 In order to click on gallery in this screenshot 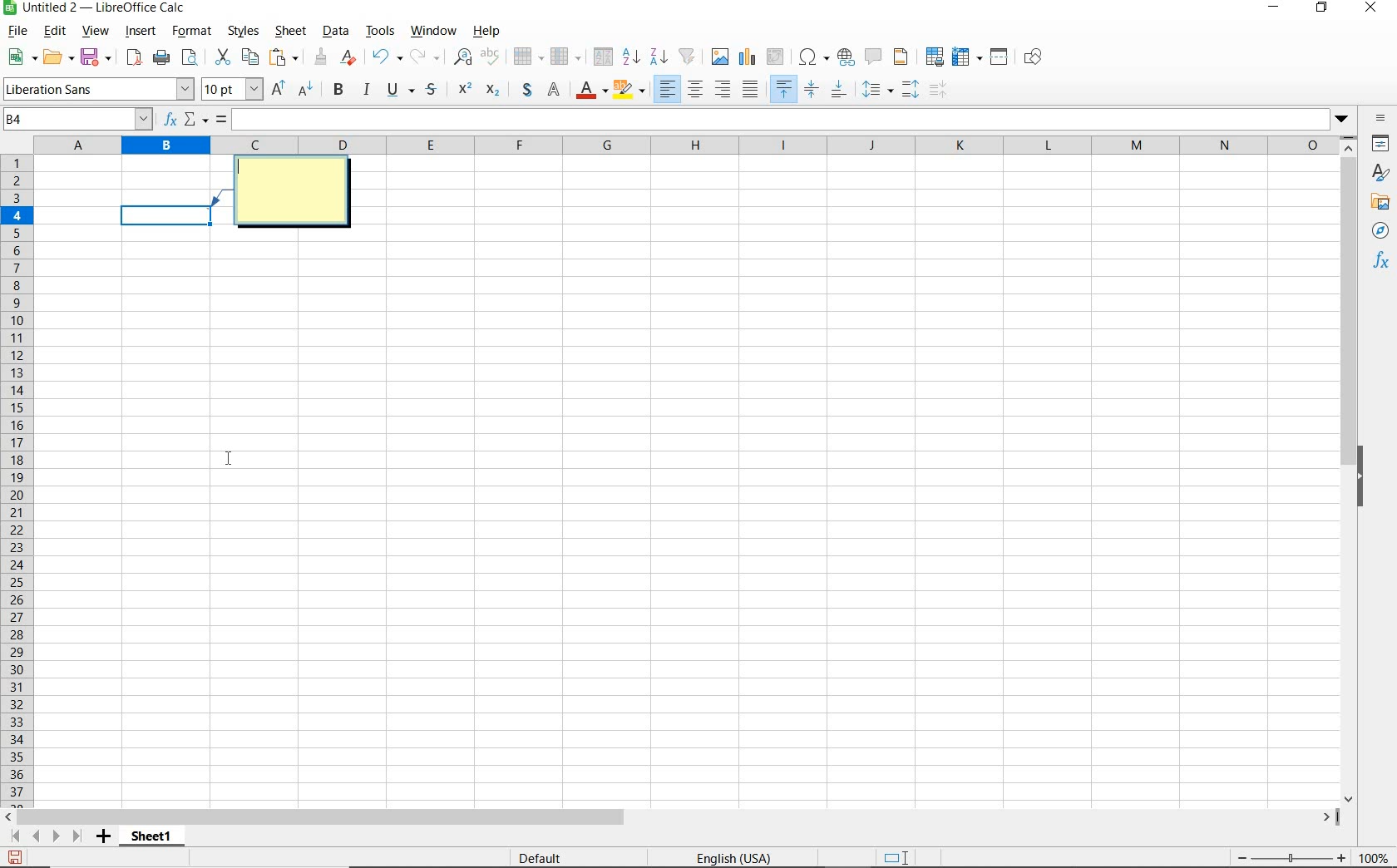, I will do `click(1381, 200)`.